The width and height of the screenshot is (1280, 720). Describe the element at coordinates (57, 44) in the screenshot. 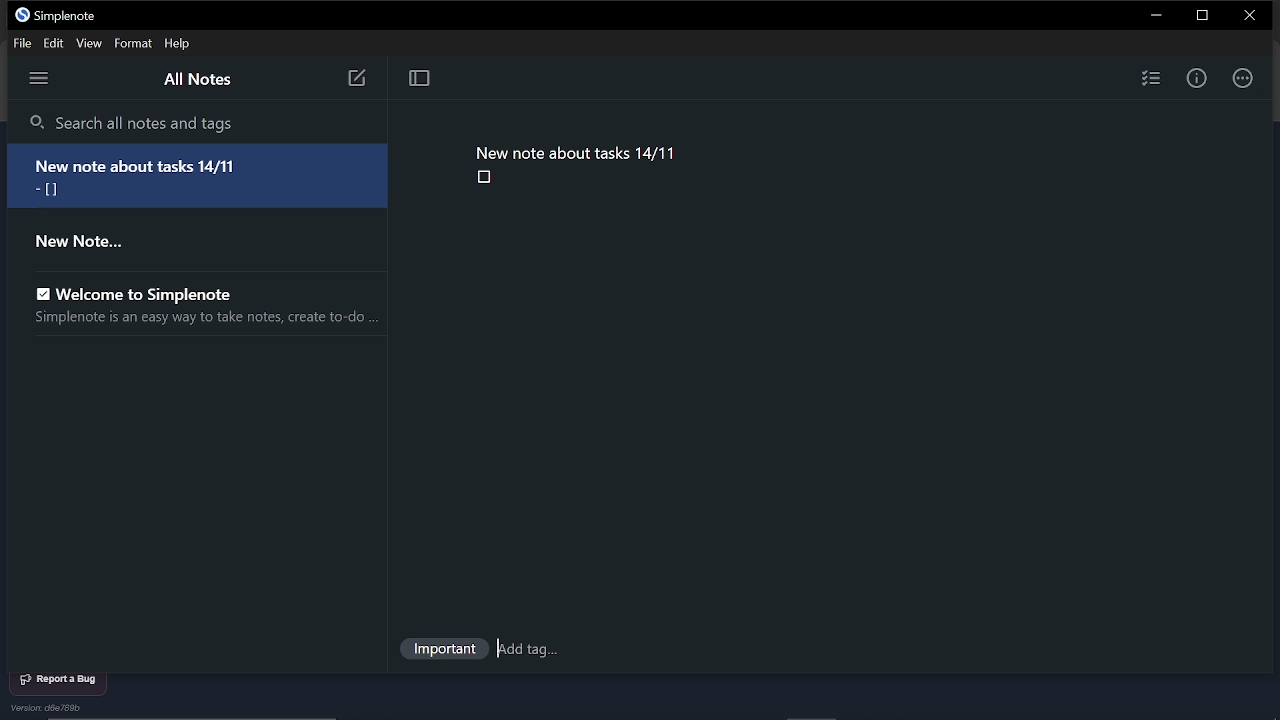

I see `Edit` at that location.